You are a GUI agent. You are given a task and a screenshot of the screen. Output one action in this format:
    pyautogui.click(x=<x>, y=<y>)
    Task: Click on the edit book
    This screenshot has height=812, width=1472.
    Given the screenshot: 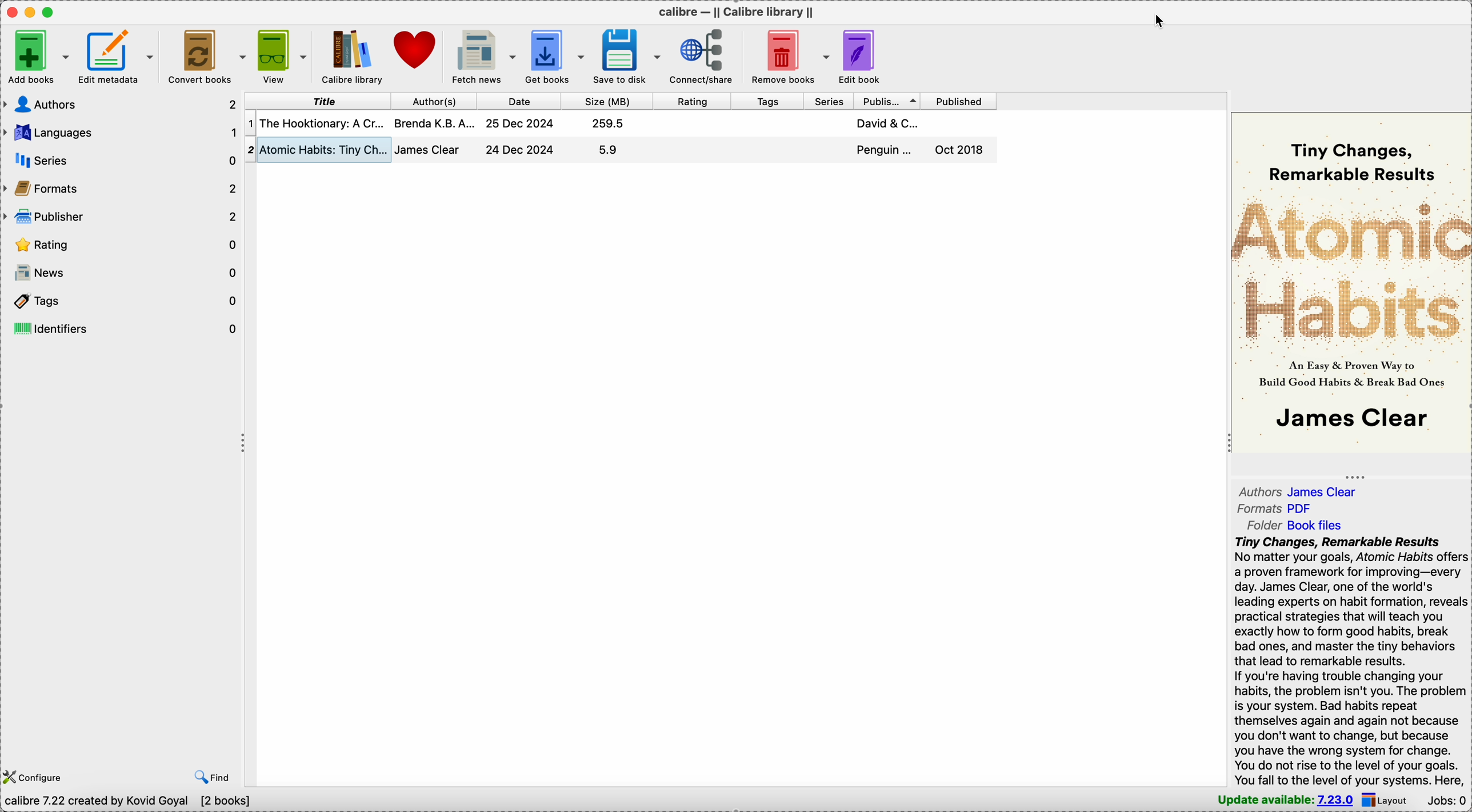 What is the action you would take?
    pyautogui.click(x=865, y=55)
    